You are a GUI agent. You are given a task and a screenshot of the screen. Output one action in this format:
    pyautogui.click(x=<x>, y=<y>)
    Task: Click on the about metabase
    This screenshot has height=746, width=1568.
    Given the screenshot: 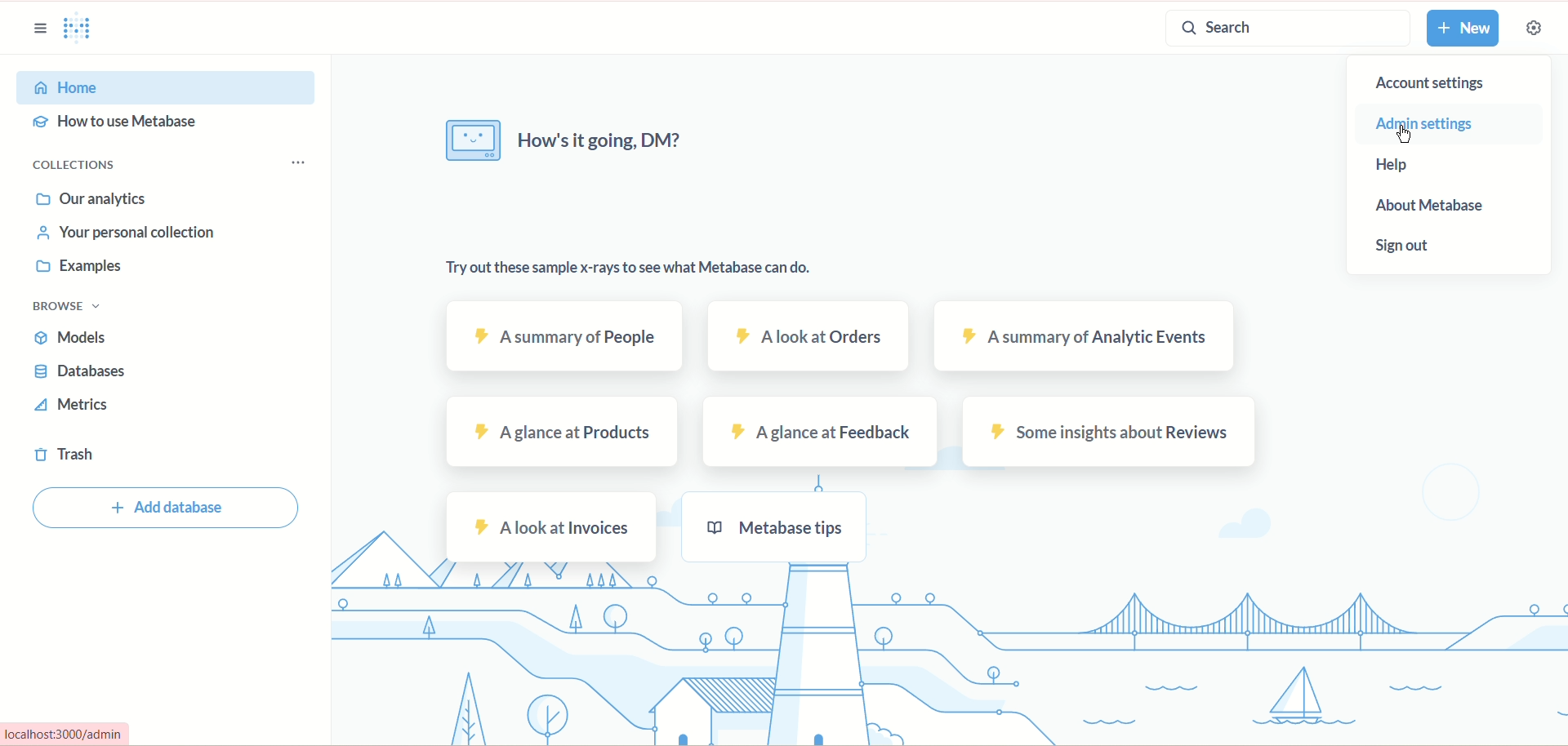 What is the action you would take?
    pyautogui.click(x=1430, y=208)
    